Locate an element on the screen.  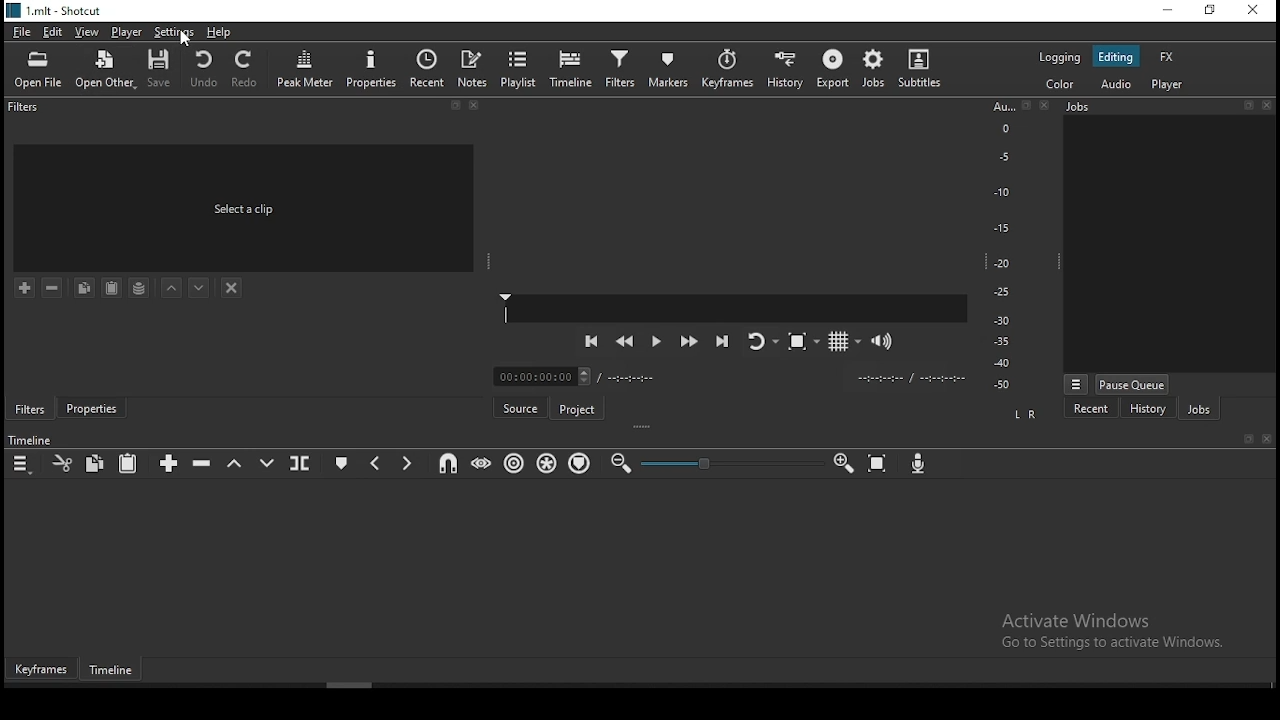
up is located at coordinates (173, 290).